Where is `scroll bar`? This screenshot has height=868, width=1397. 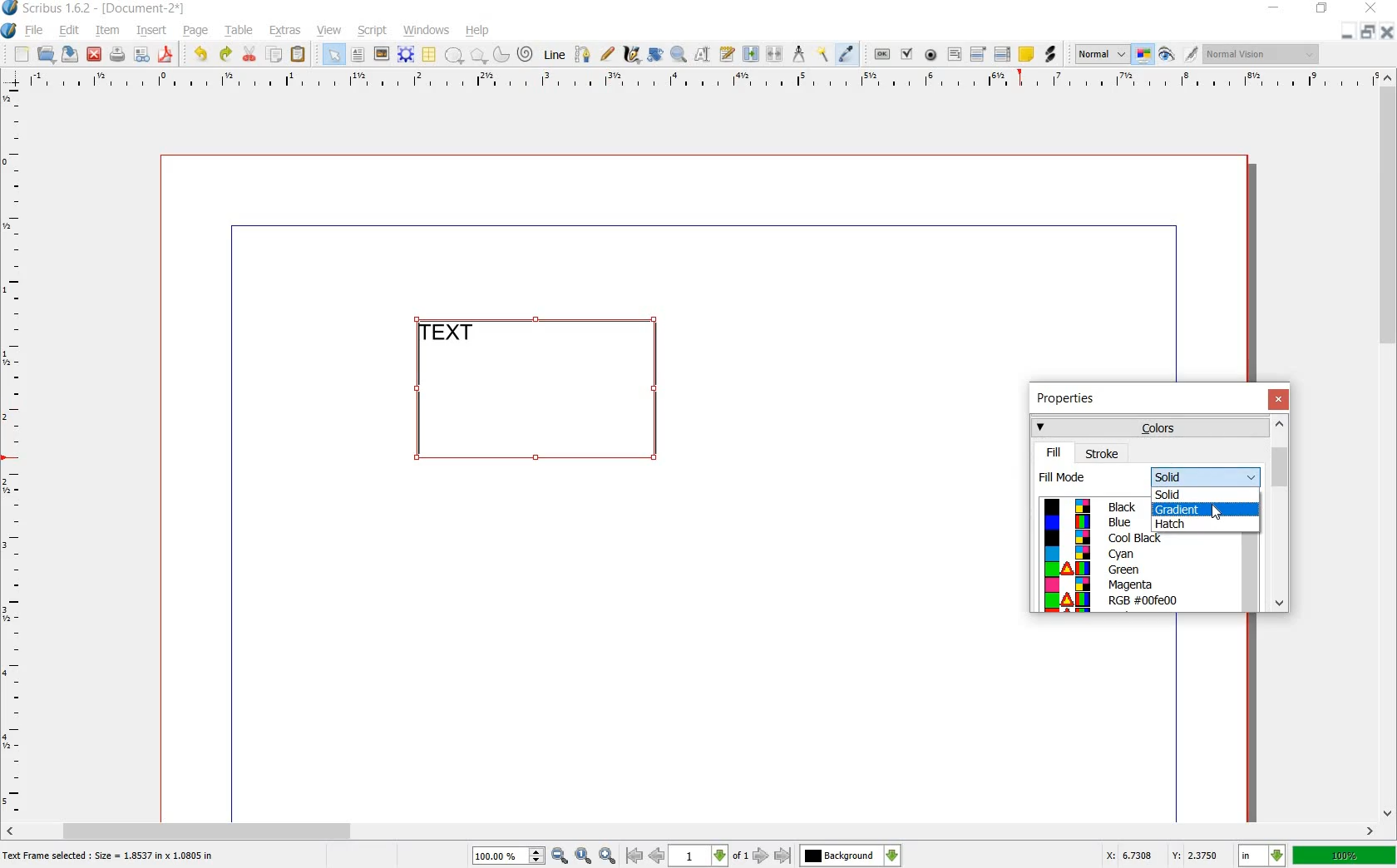
scroll bar is located at coordinates (692, 830).